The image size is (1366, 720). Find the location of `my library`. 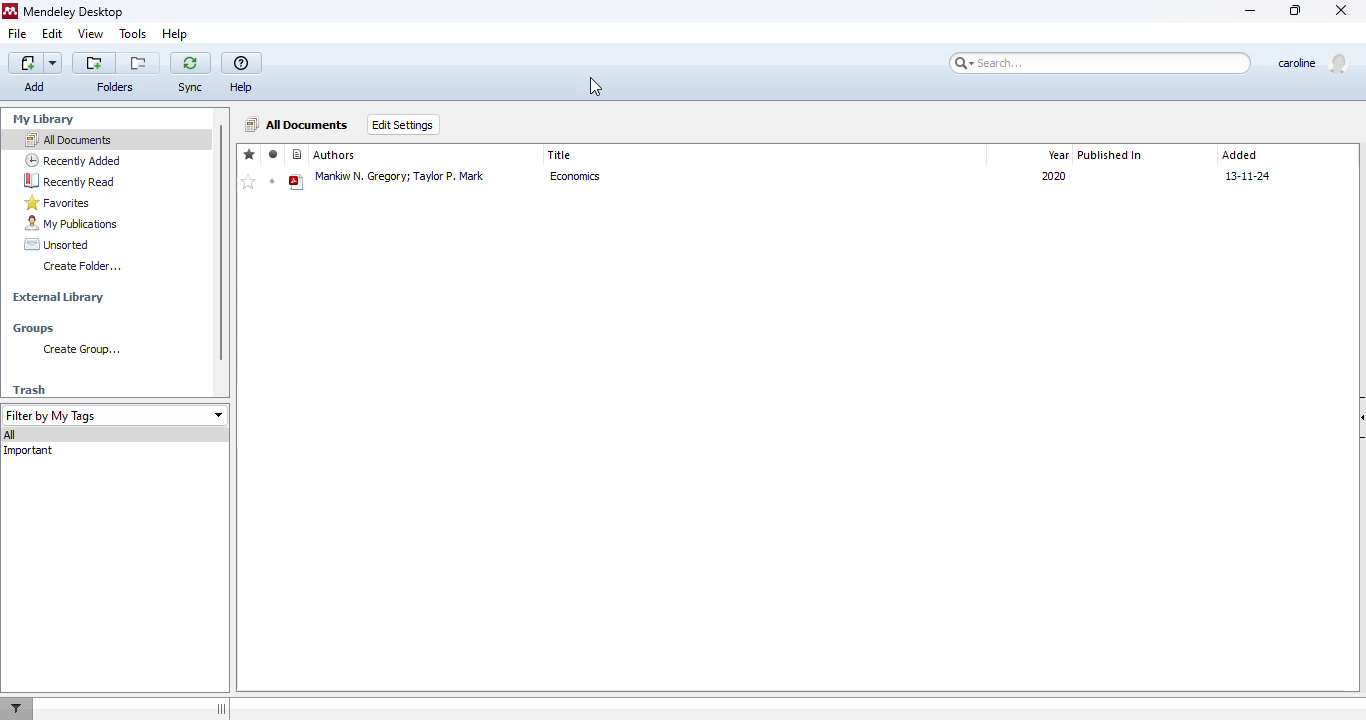

my library is located at coordinates (44, 119).